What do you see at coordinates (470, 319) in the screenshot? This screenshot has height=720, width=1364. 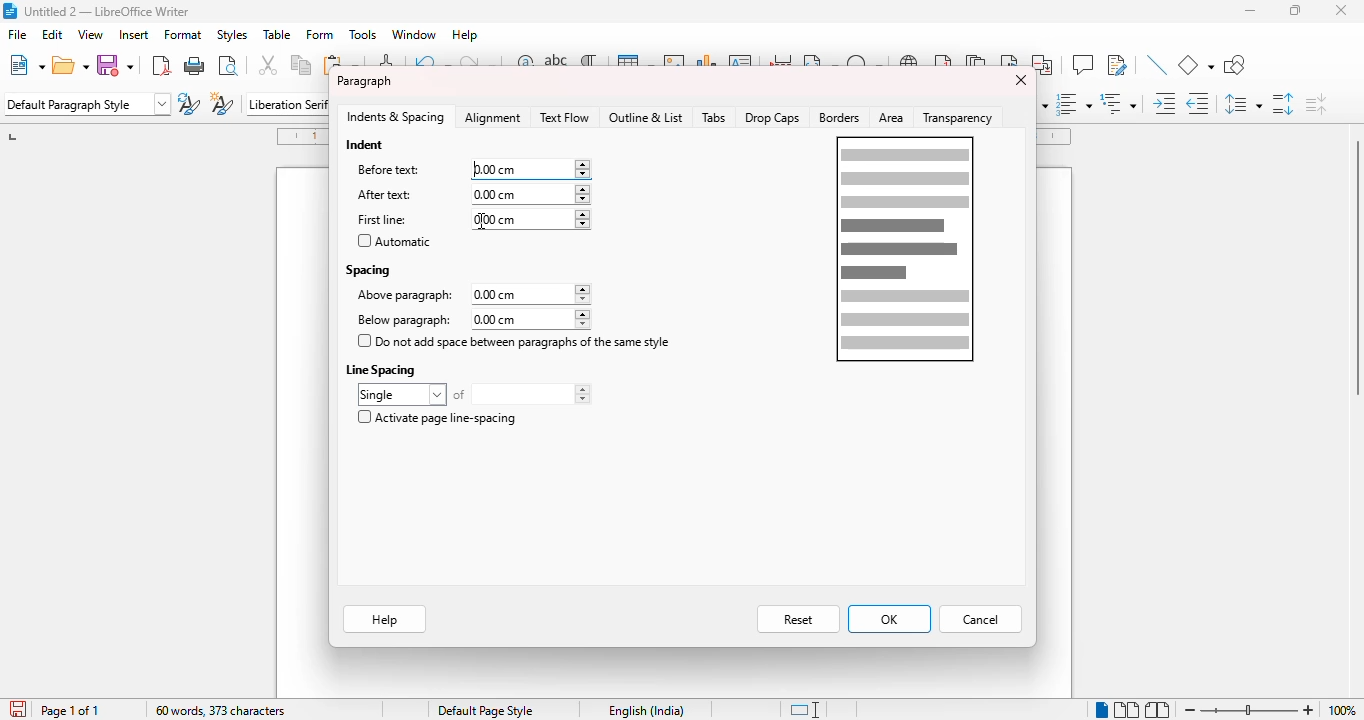 I see `below paragraph` at bounding box center [470, 319].